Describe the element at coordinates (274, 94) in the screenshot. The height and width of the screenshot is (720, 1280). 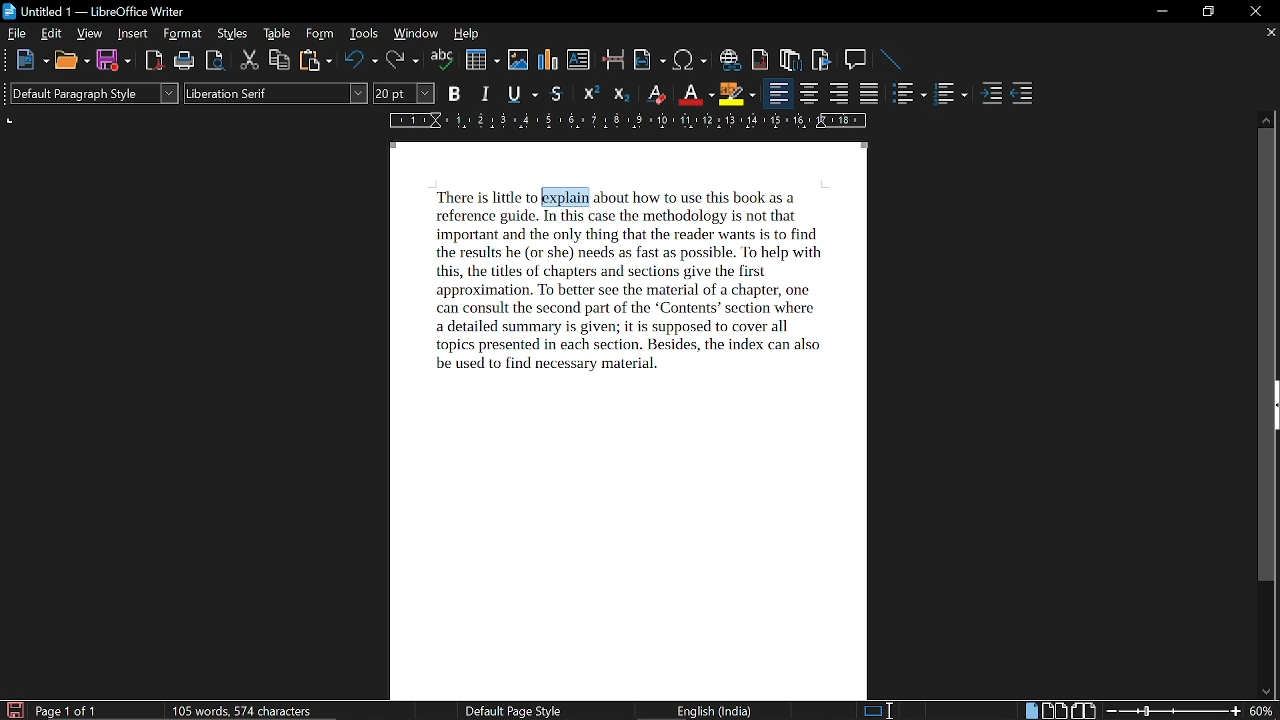
I see `font style` at that location.